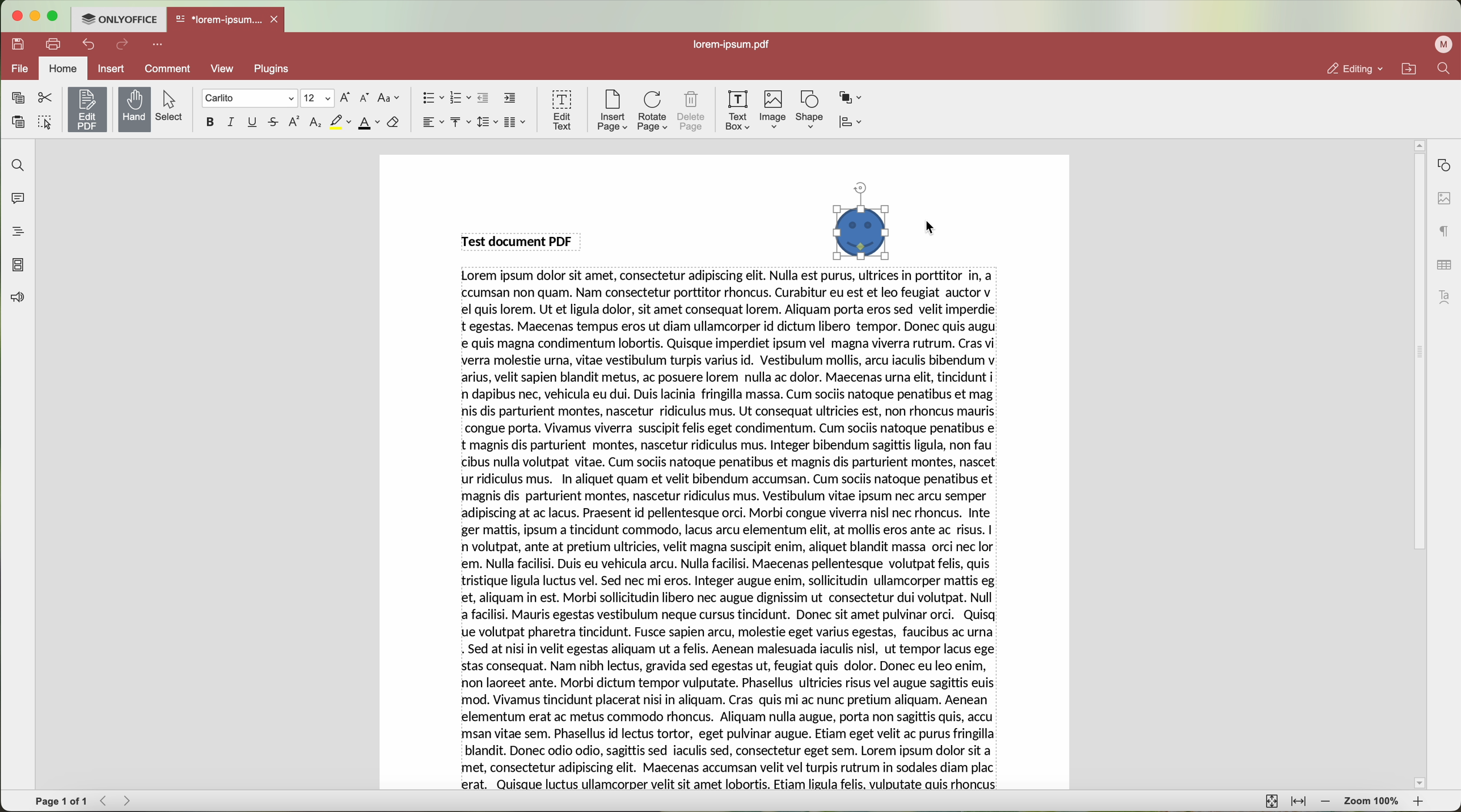 The image size is (1461, 812). Describe the element at coordinates (773, 110) in the screenshot. I see `image` at that location.